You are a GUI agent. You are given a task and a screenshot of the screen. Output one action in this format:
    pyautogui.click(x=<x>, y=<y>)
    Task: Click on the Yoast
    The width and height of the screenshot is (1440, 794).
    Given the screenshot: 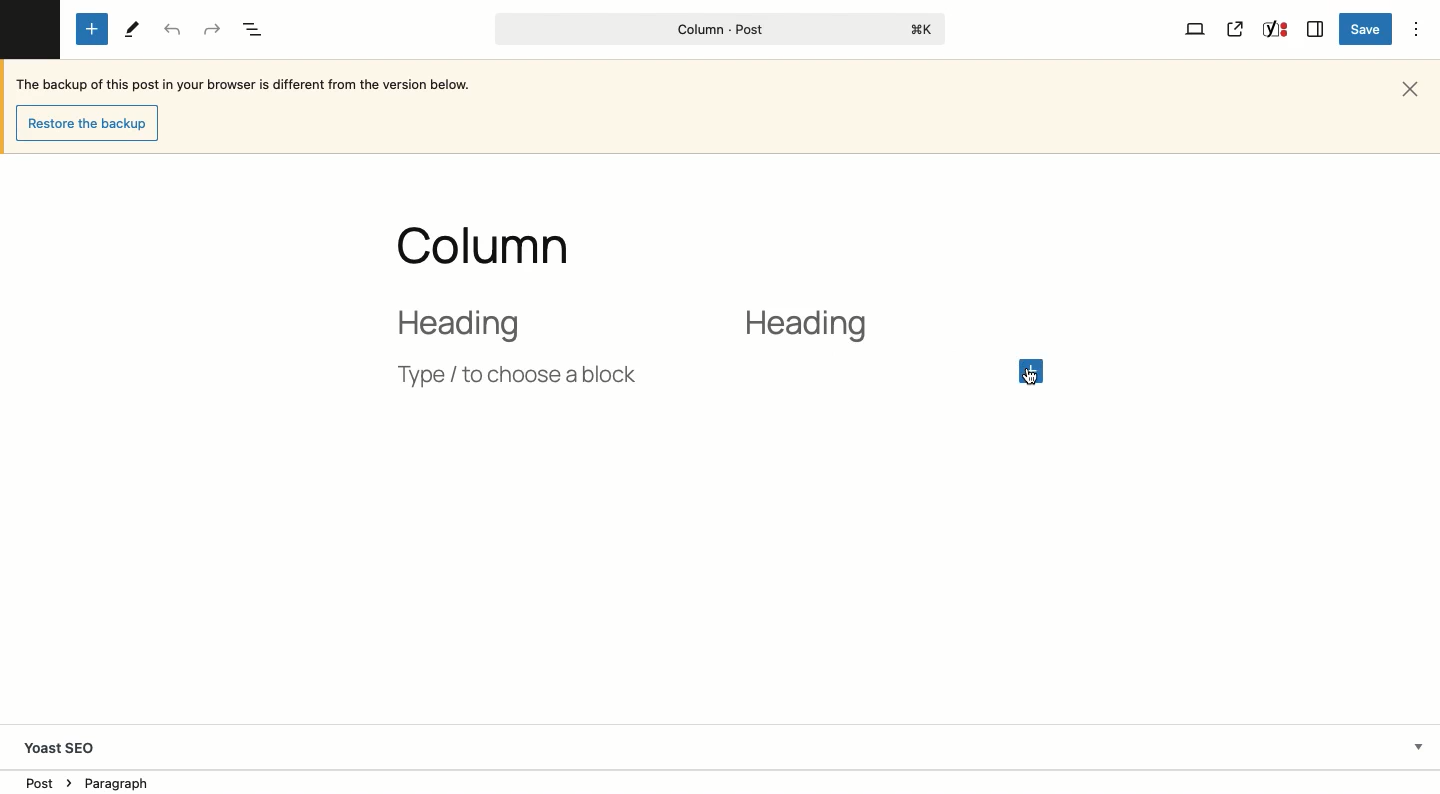 What is the action you would take?
    pyautogui.click(x=1273, y=31)
    